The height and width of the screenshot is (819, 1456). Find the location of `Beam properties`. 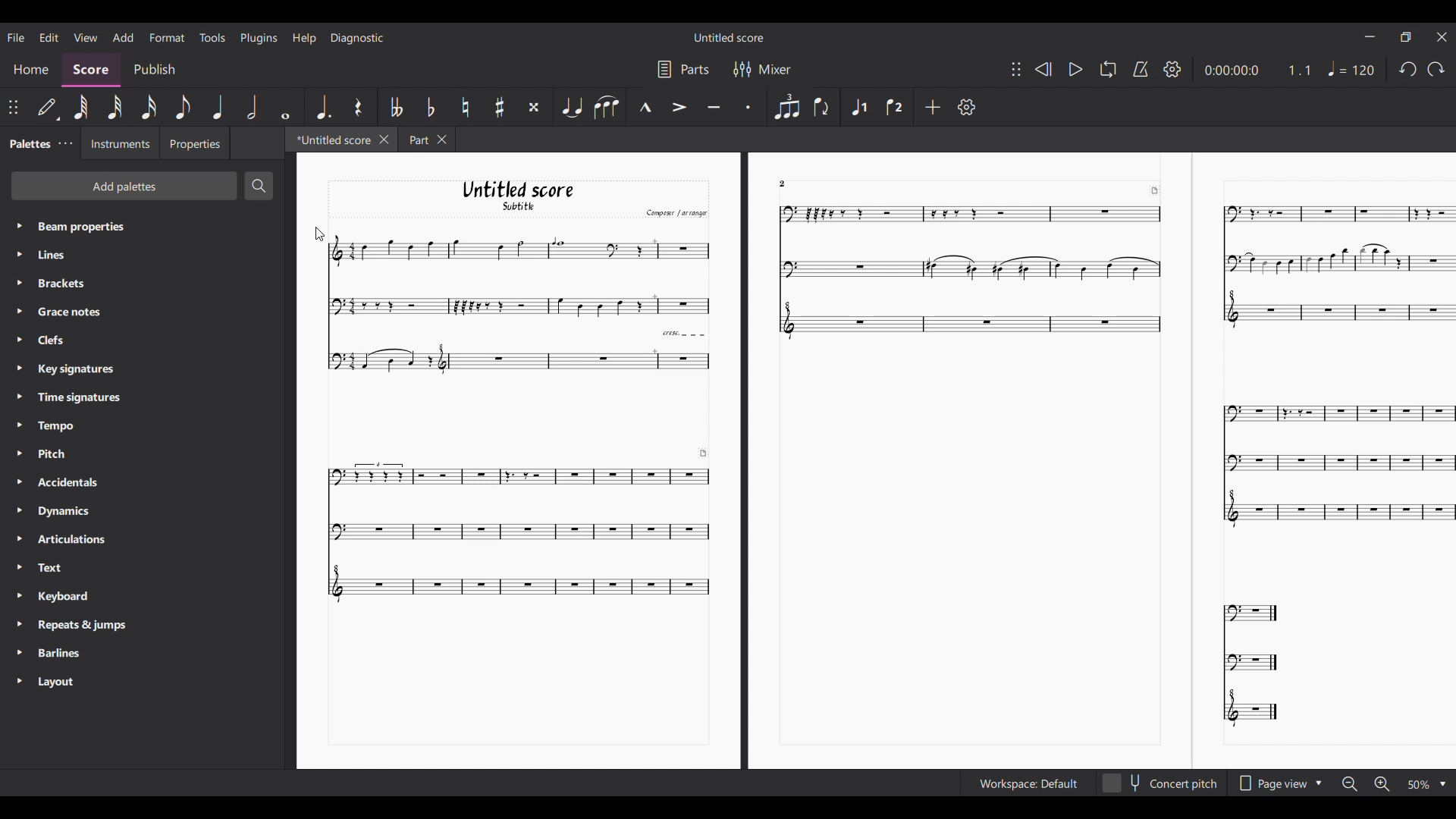

Beam properties is located at coordinates (118, 226).